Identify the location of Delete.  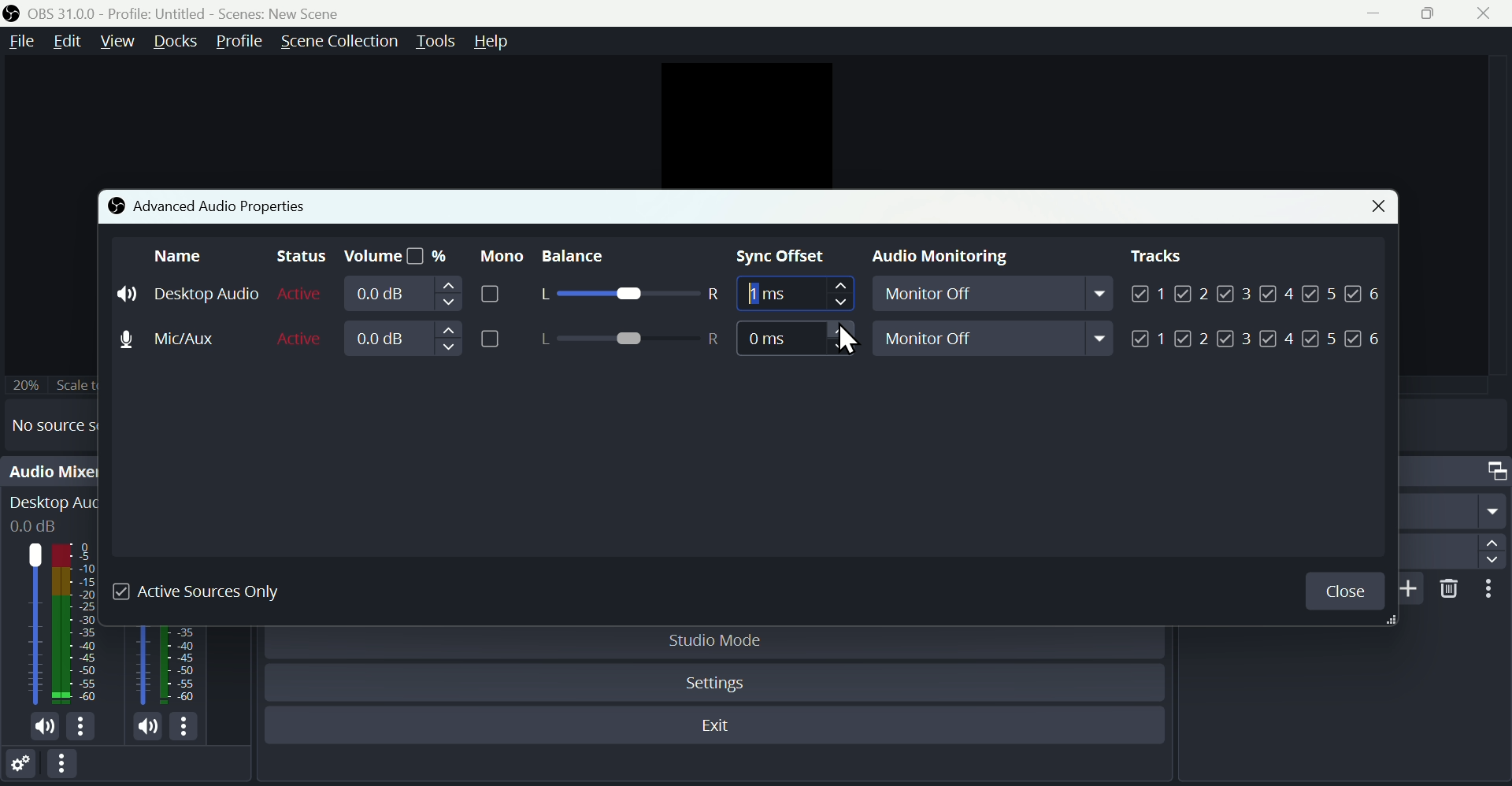
(1451, 588).